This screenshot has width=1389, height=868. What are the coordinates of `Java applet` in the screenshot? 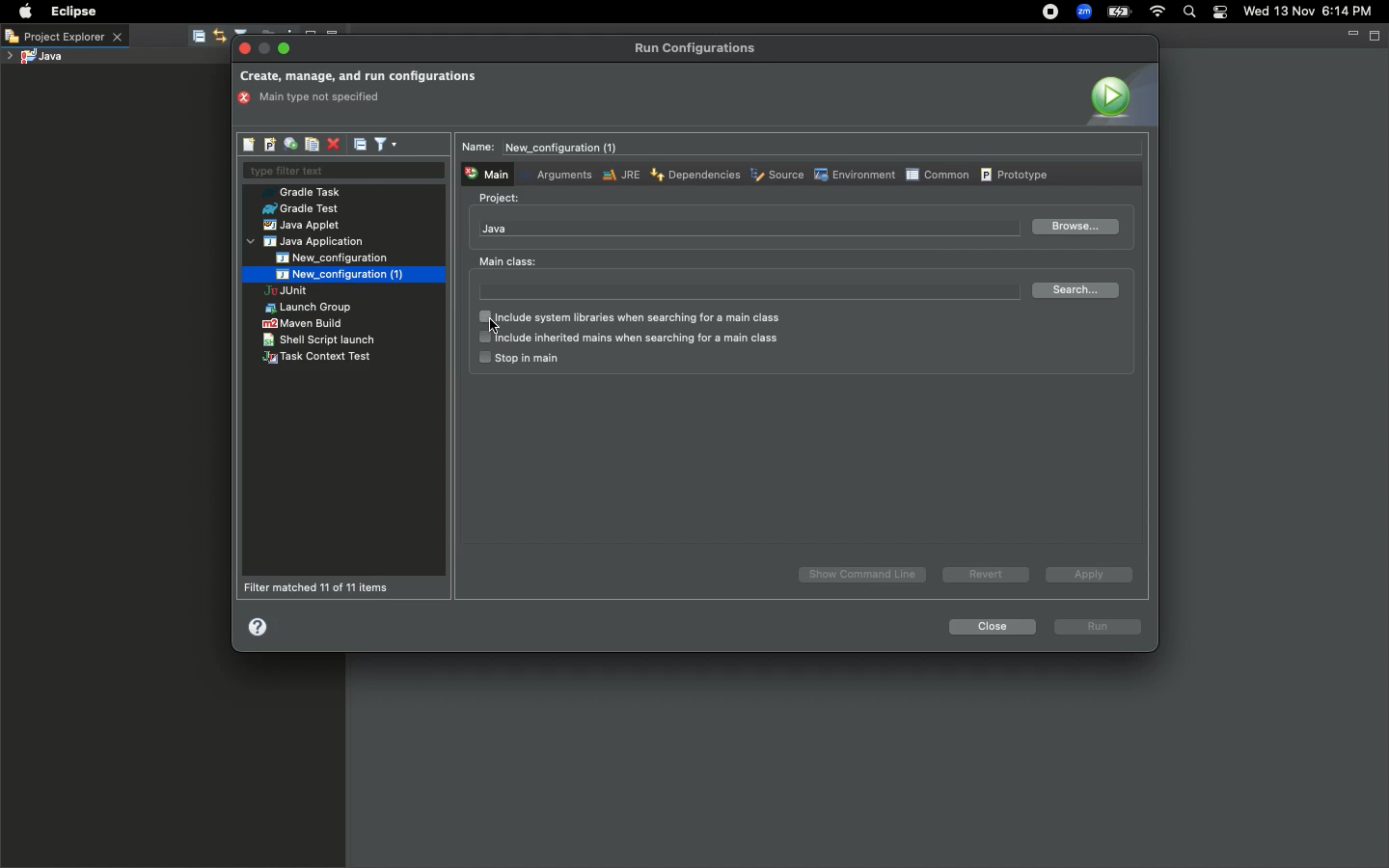 It's located at (304, 226).